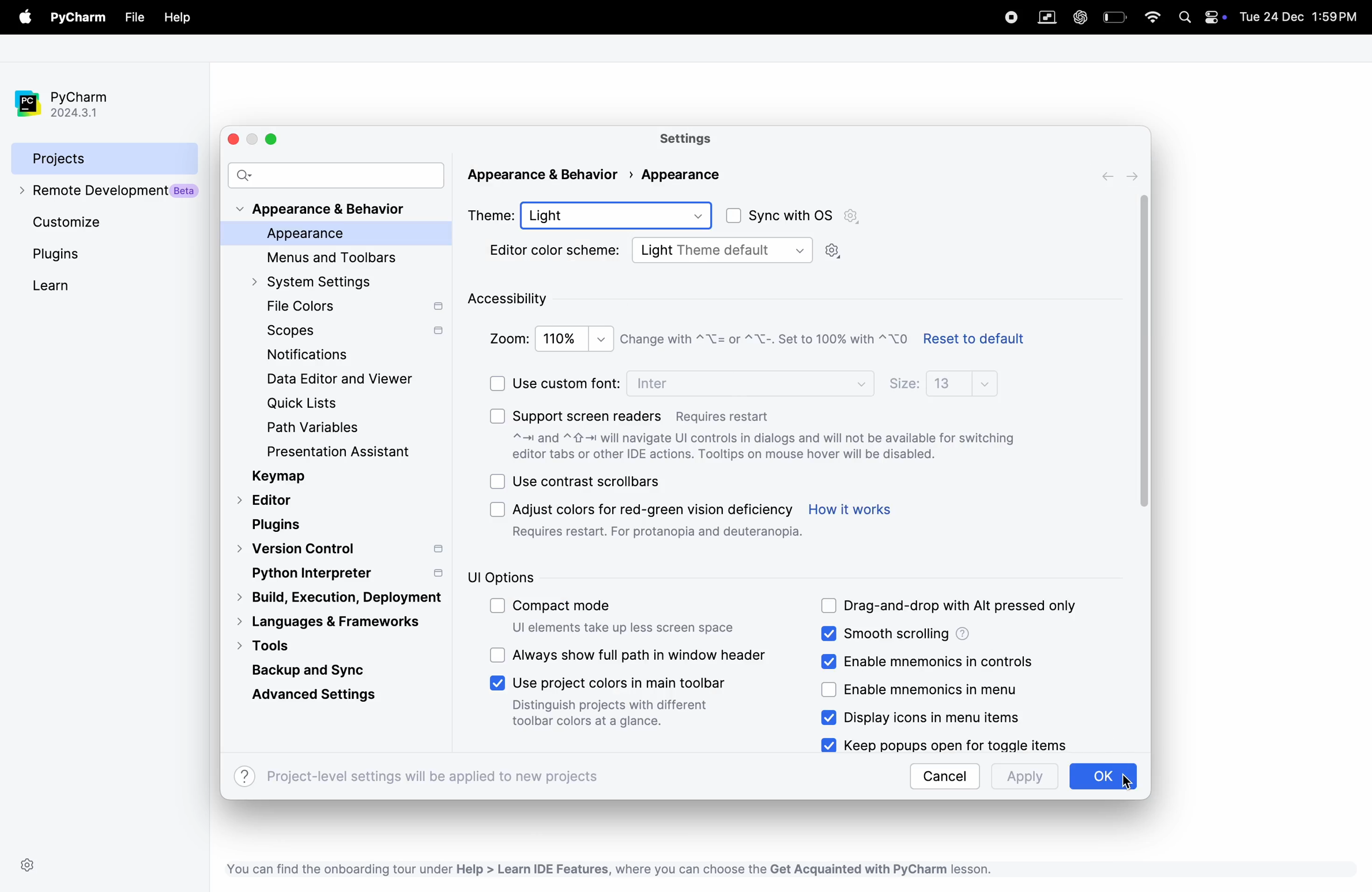 The width and height of the screenshot is (1372, 892). Describe the element at coordinates (313, 356) in the screenshot. I see `notifications` at that location.